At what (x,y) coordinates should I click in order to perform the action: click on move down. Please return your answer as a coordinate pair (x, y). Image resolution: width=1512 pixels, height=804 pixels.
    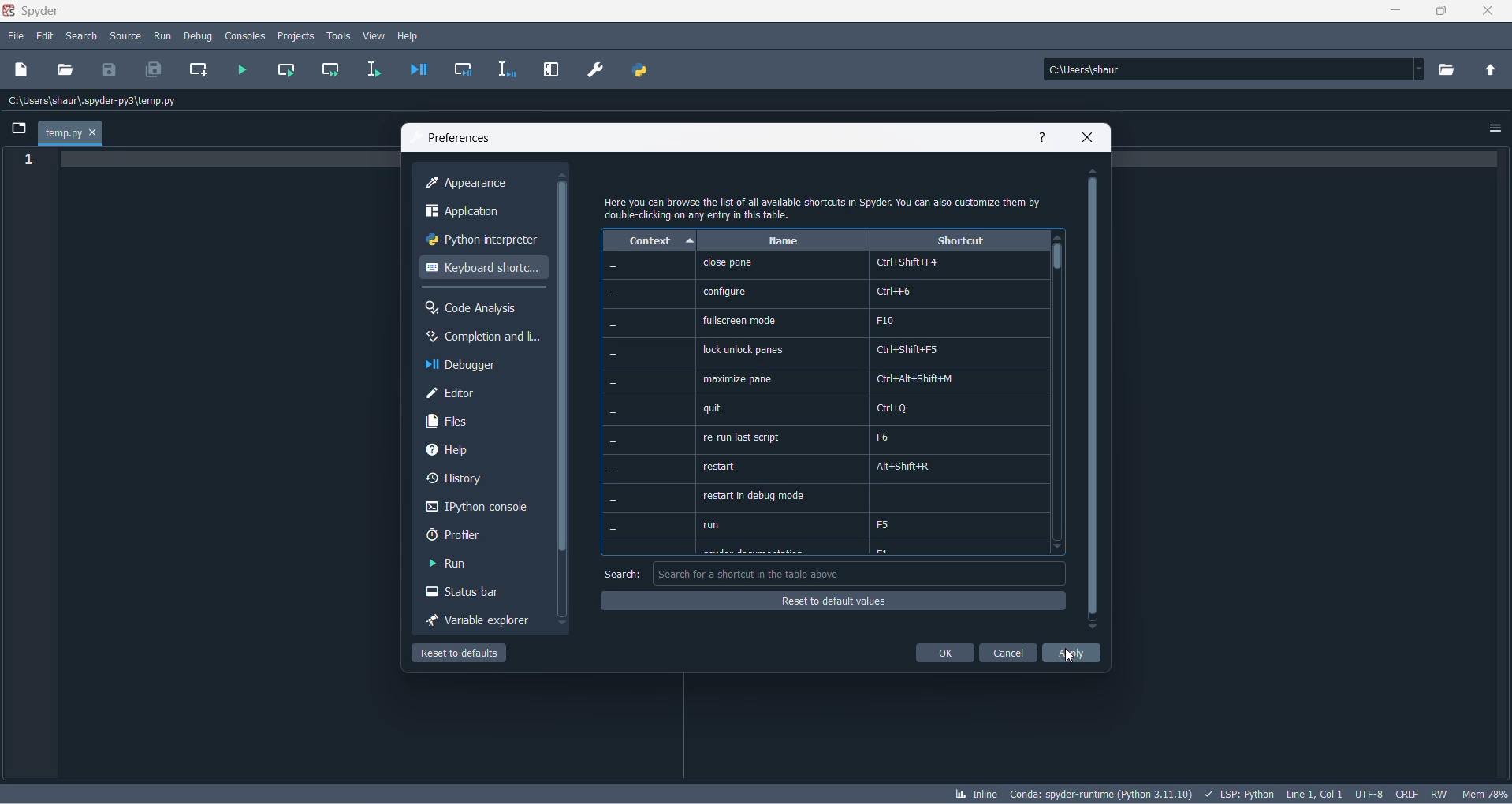
    Looking at the image, I should click on (564, 624).